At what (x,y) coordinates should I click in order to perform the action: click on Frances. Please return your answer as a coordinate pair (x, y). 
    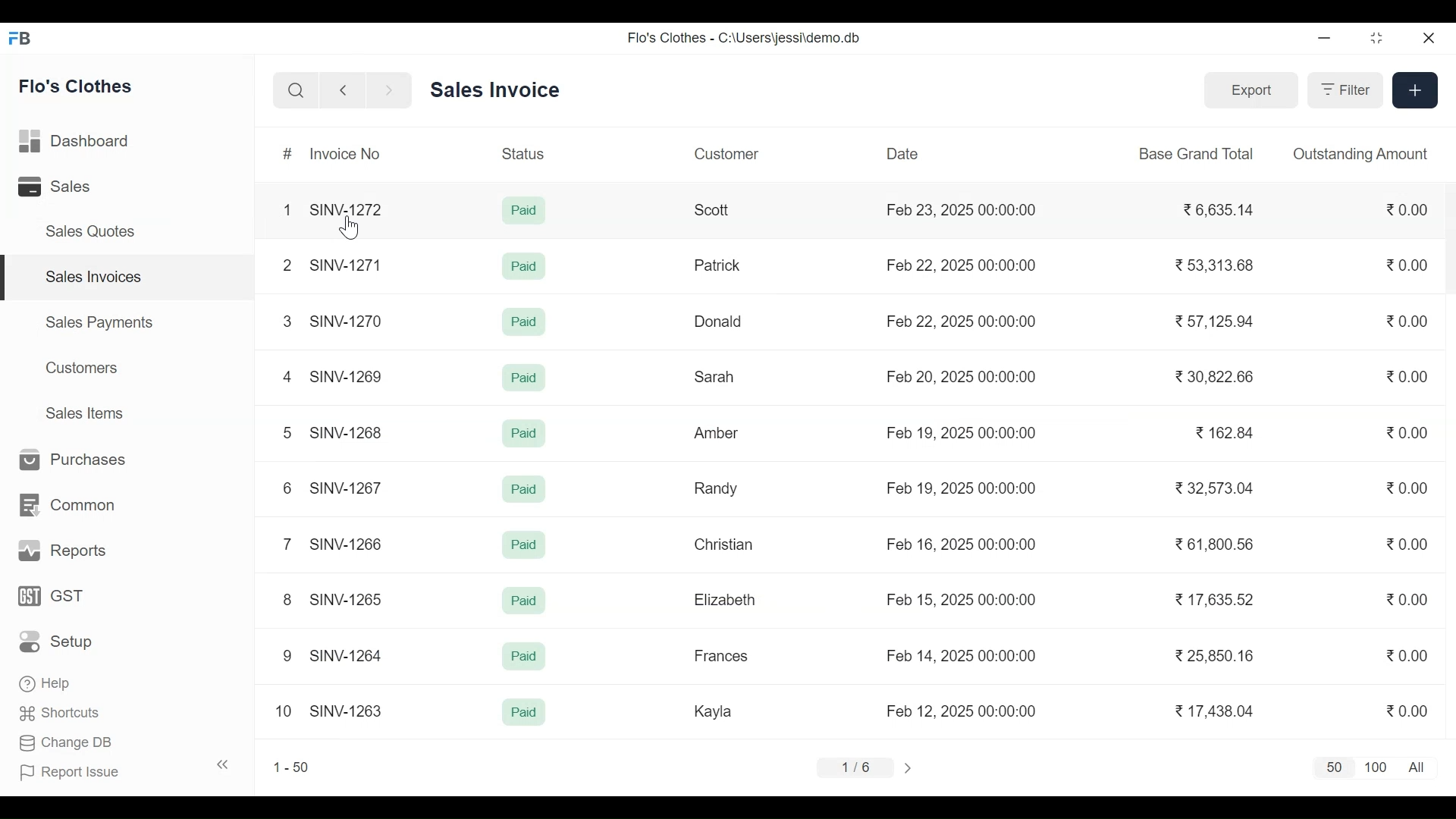
    Looking at the image, I should click on (724, 656).